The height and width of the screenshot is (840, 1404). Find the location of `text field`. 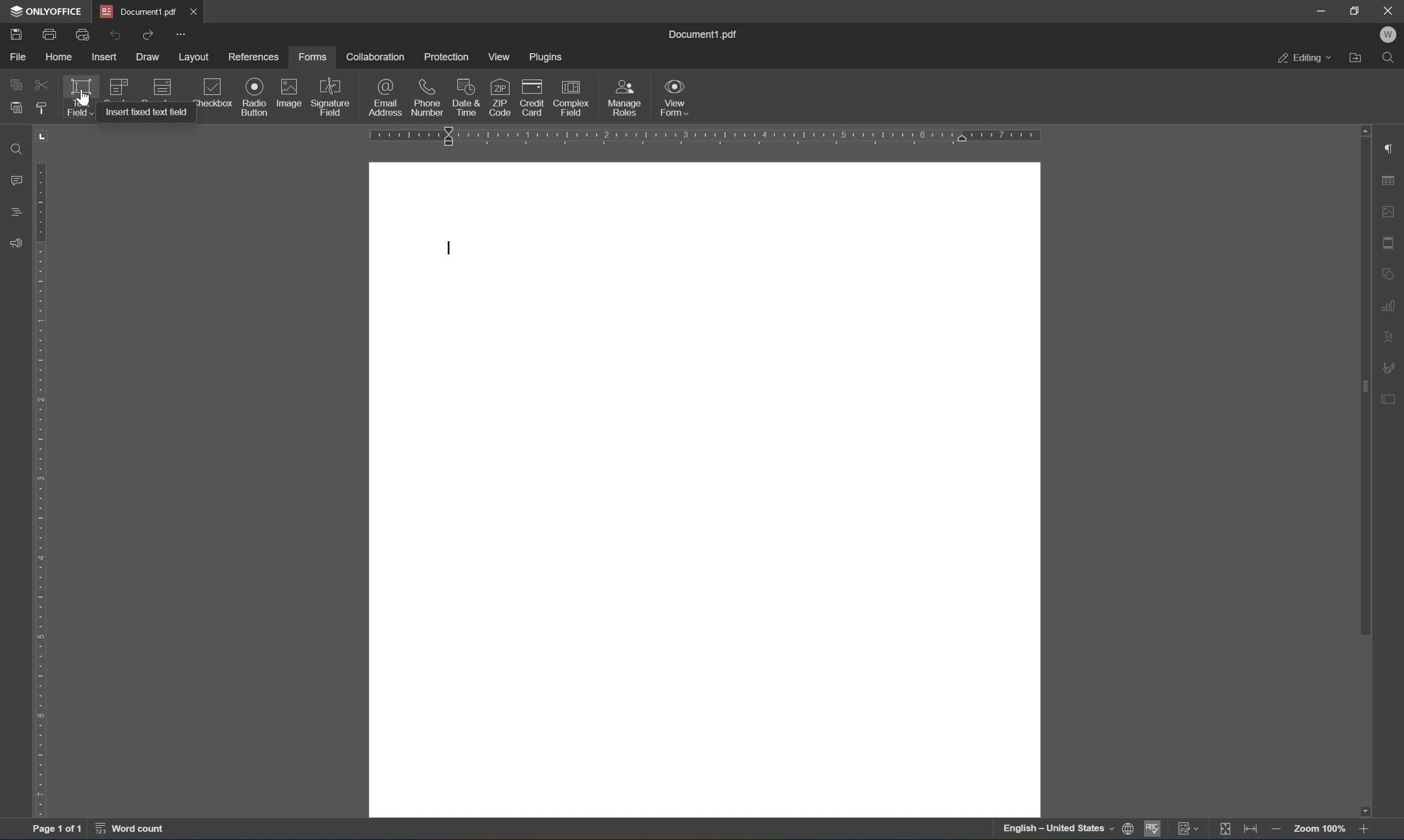

text field is located at coordinates (80, 96).